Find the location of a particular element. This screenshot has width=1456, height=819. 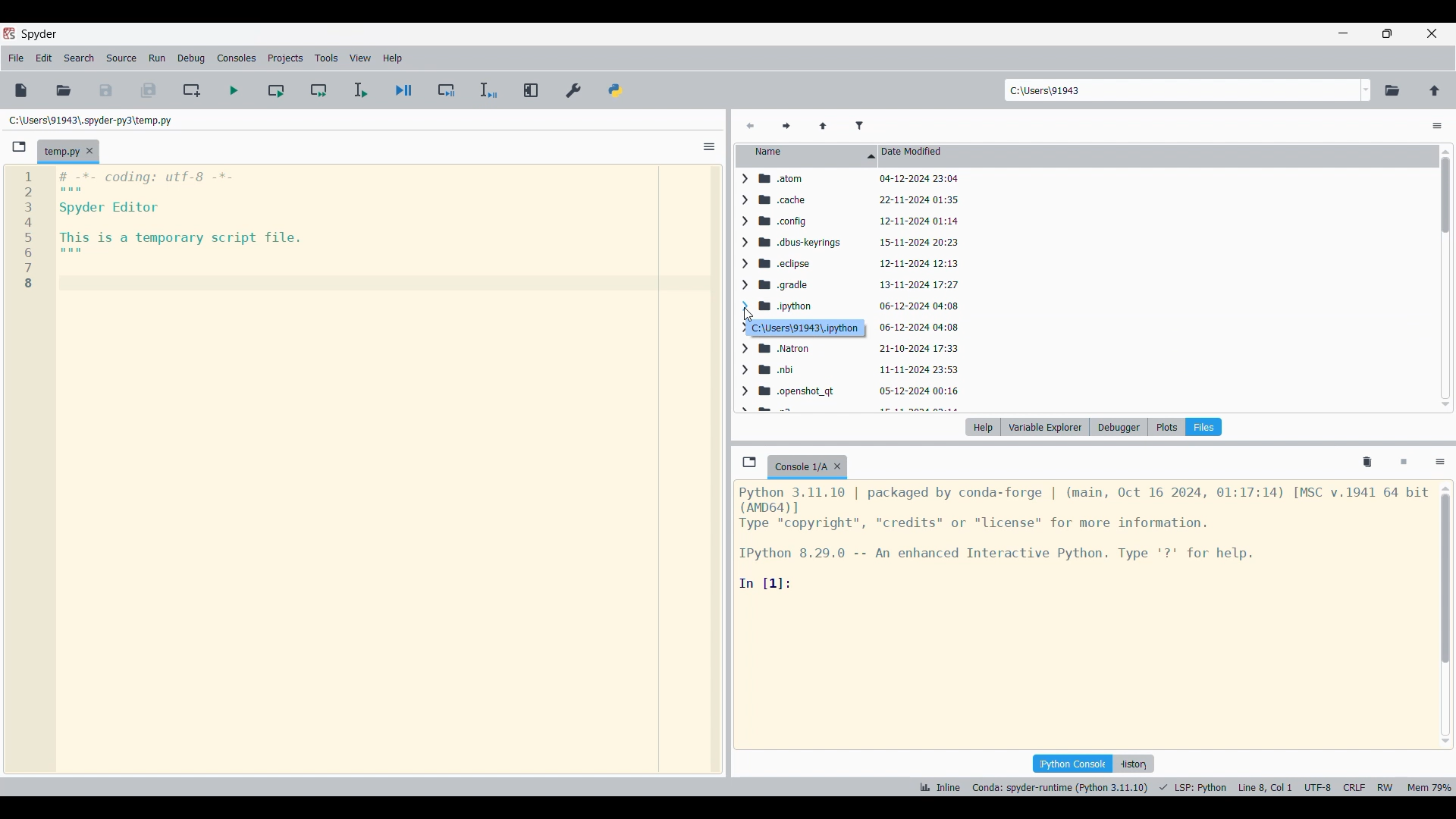

Variable explorer is located at coordinates (1046, 427).